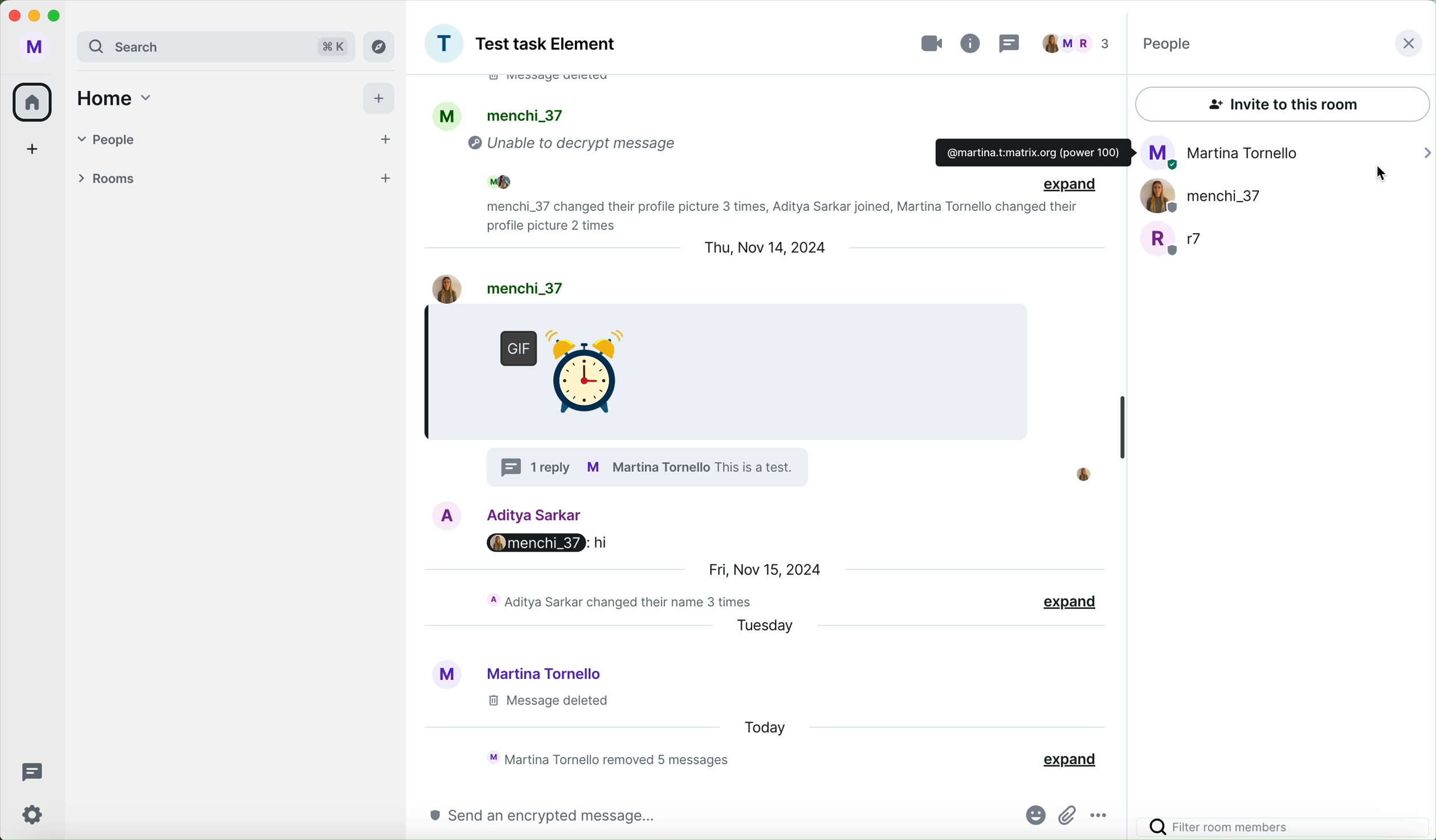 The image size is (1436, 840). What do you see at coordinates (58, 16) in the screenshot?
I see `maximize` at bounding box center [58, 16].